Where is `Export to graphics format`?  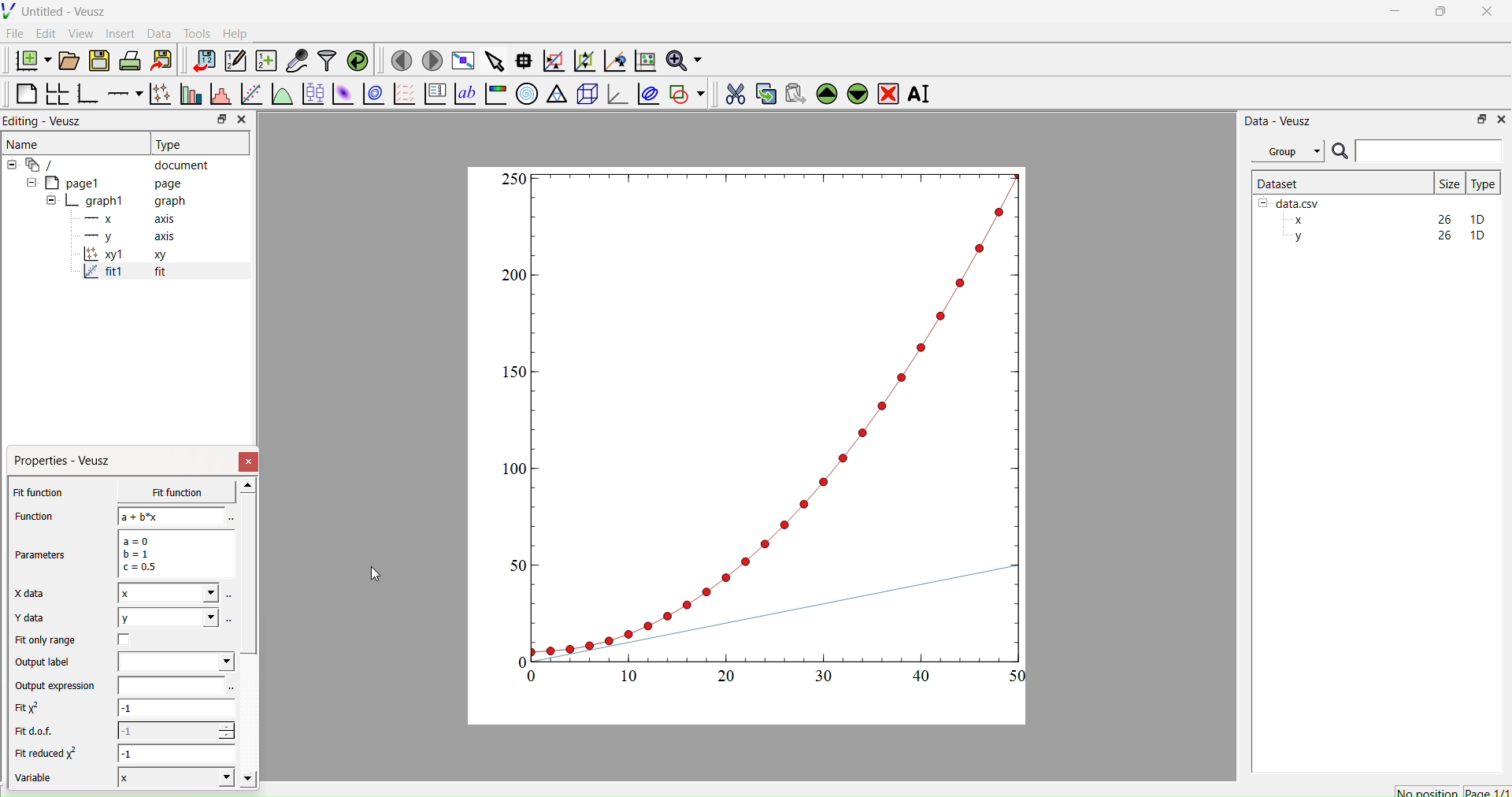
Export to graphics format is located at coordinates (161, 61).